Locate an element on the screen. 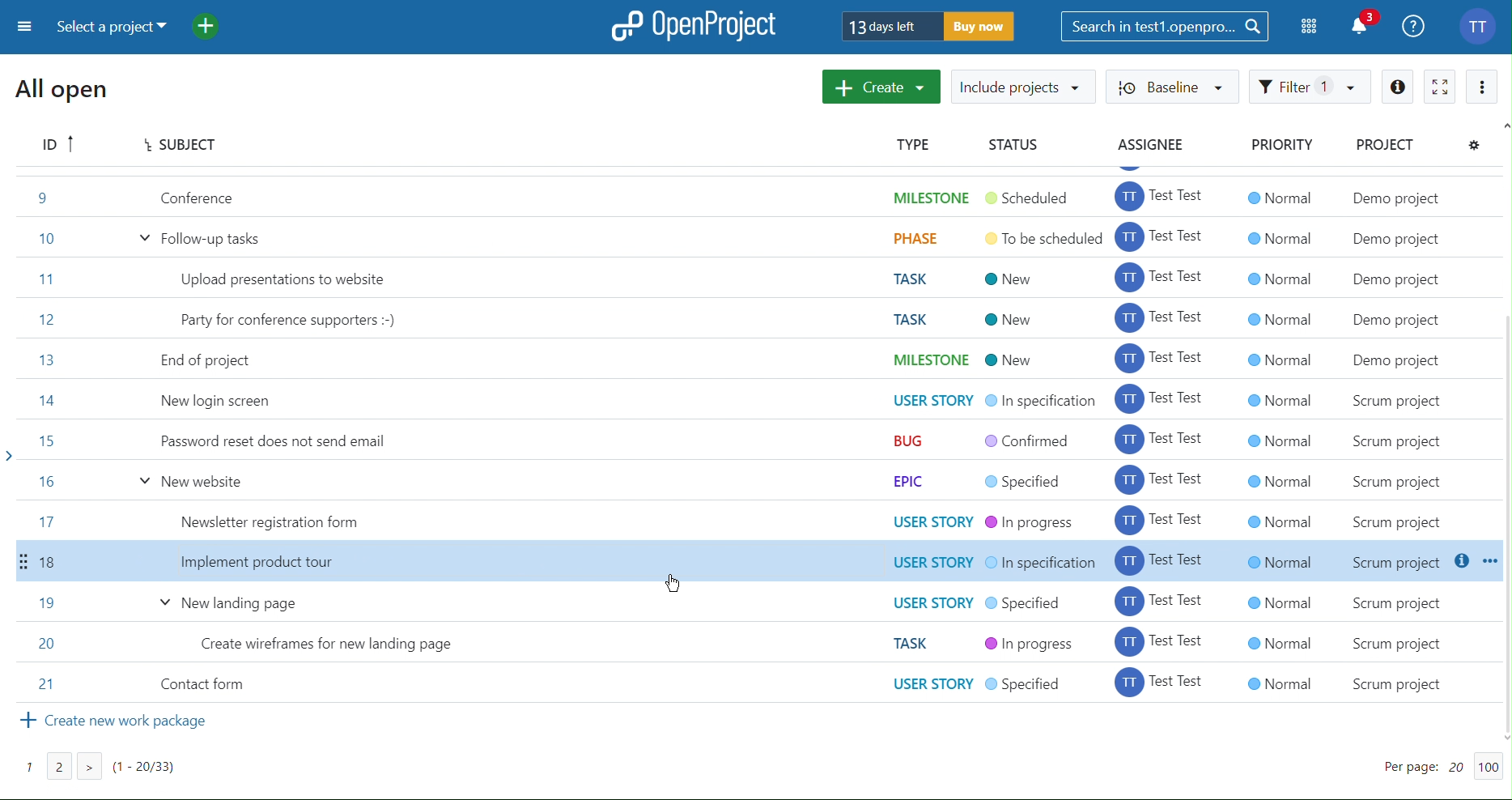 This screenshot has width=1512, height=800. Status is located at coordinates (1011, 145).